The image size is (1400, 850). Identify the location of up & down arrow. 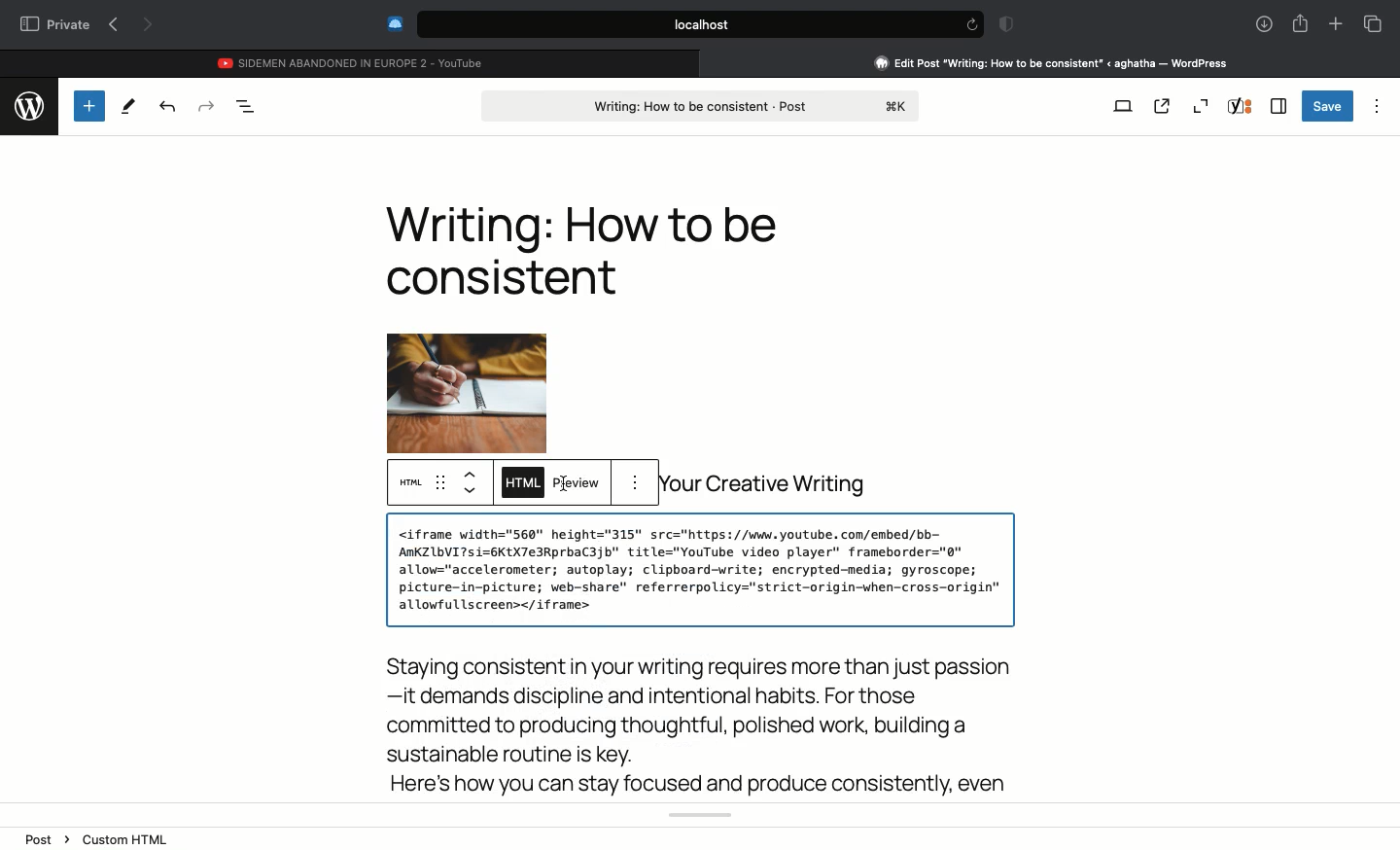
(472, 483).